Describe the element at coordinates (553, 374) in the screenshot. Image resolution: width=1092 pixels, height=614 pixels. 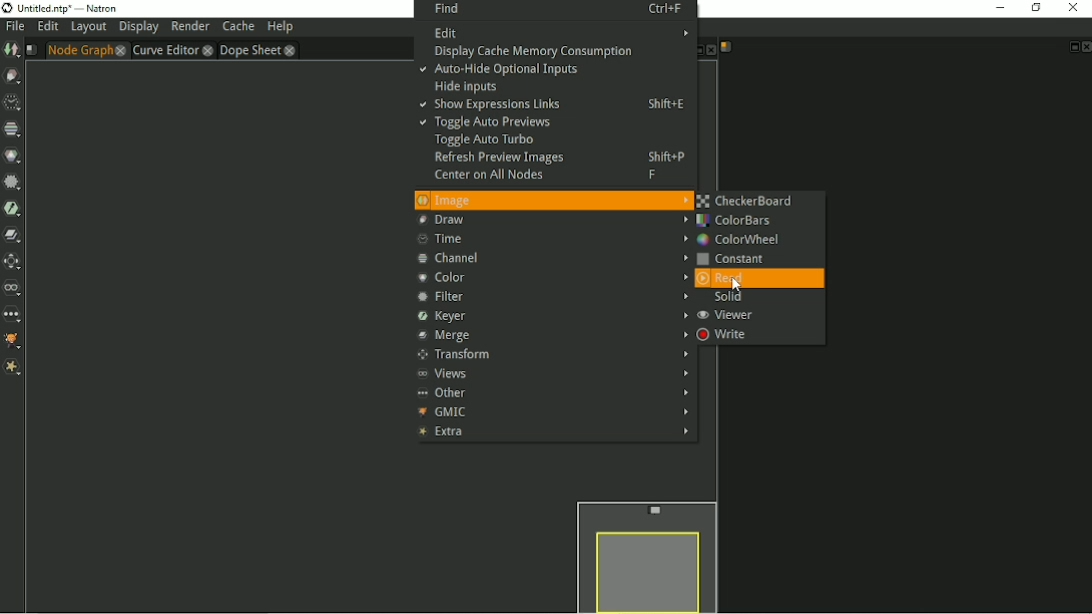
I see `Views` at that location.